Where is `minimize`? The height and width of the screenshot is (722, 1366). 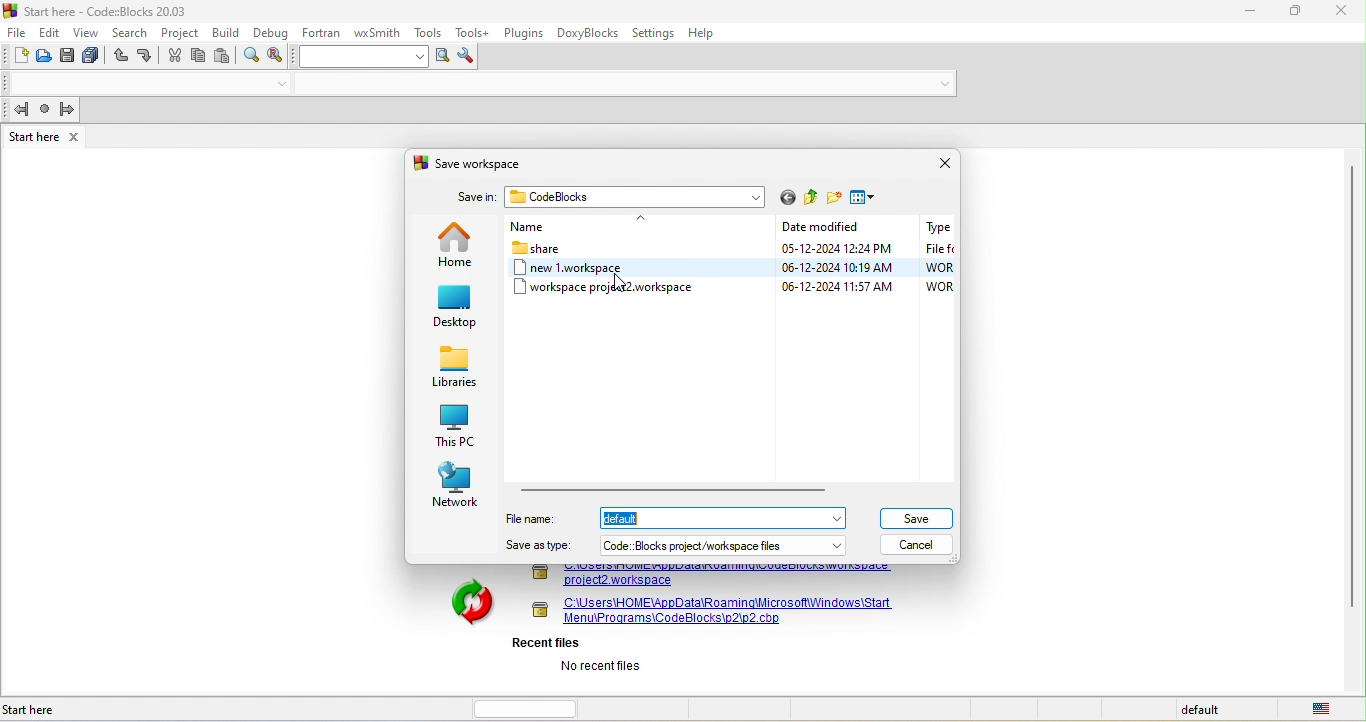 minimize is located at coordinates (1250, 12).